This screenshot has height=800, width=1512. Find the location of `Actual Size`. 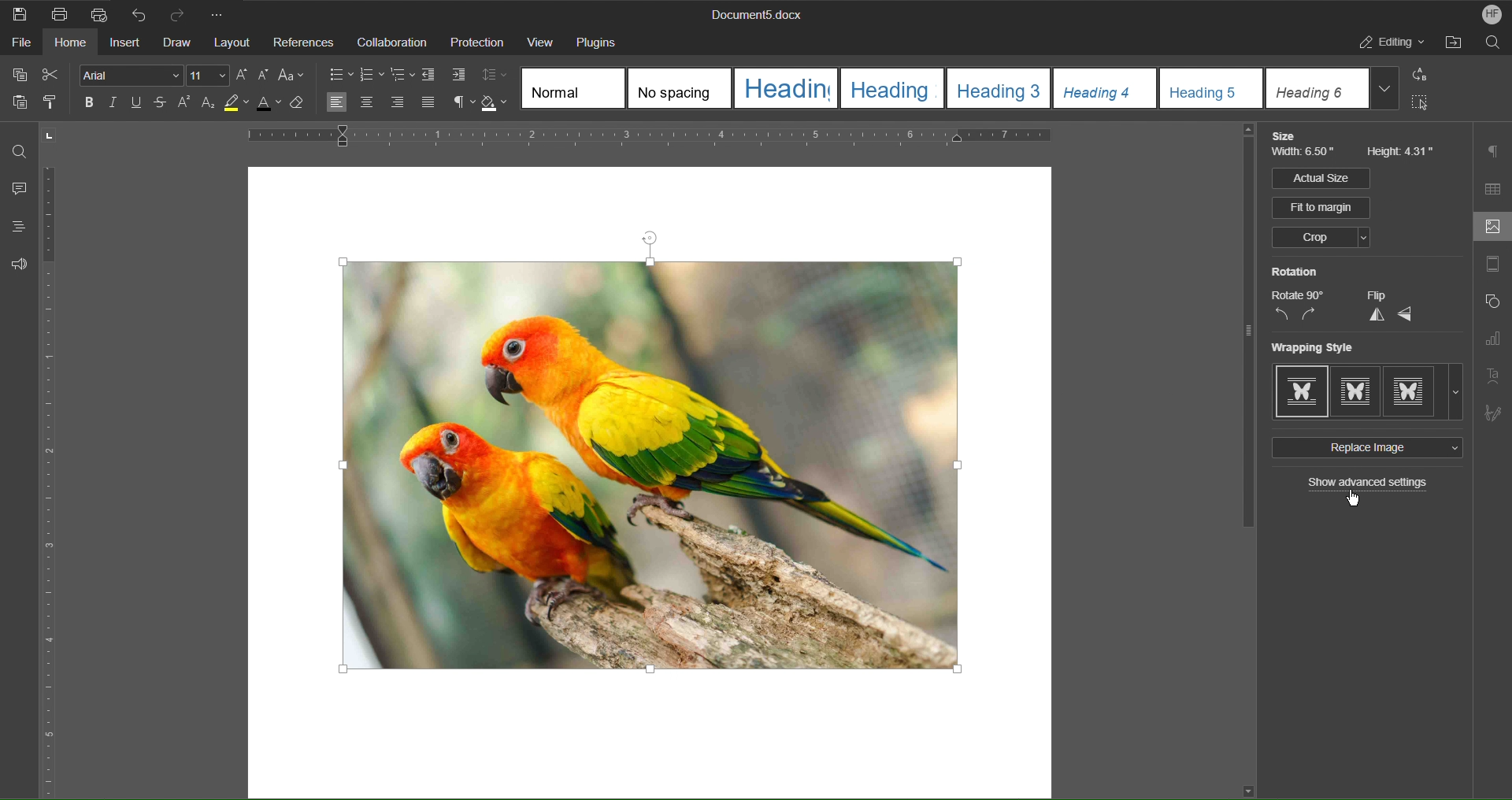

Actual Size is located at coordinates (1320, 178).